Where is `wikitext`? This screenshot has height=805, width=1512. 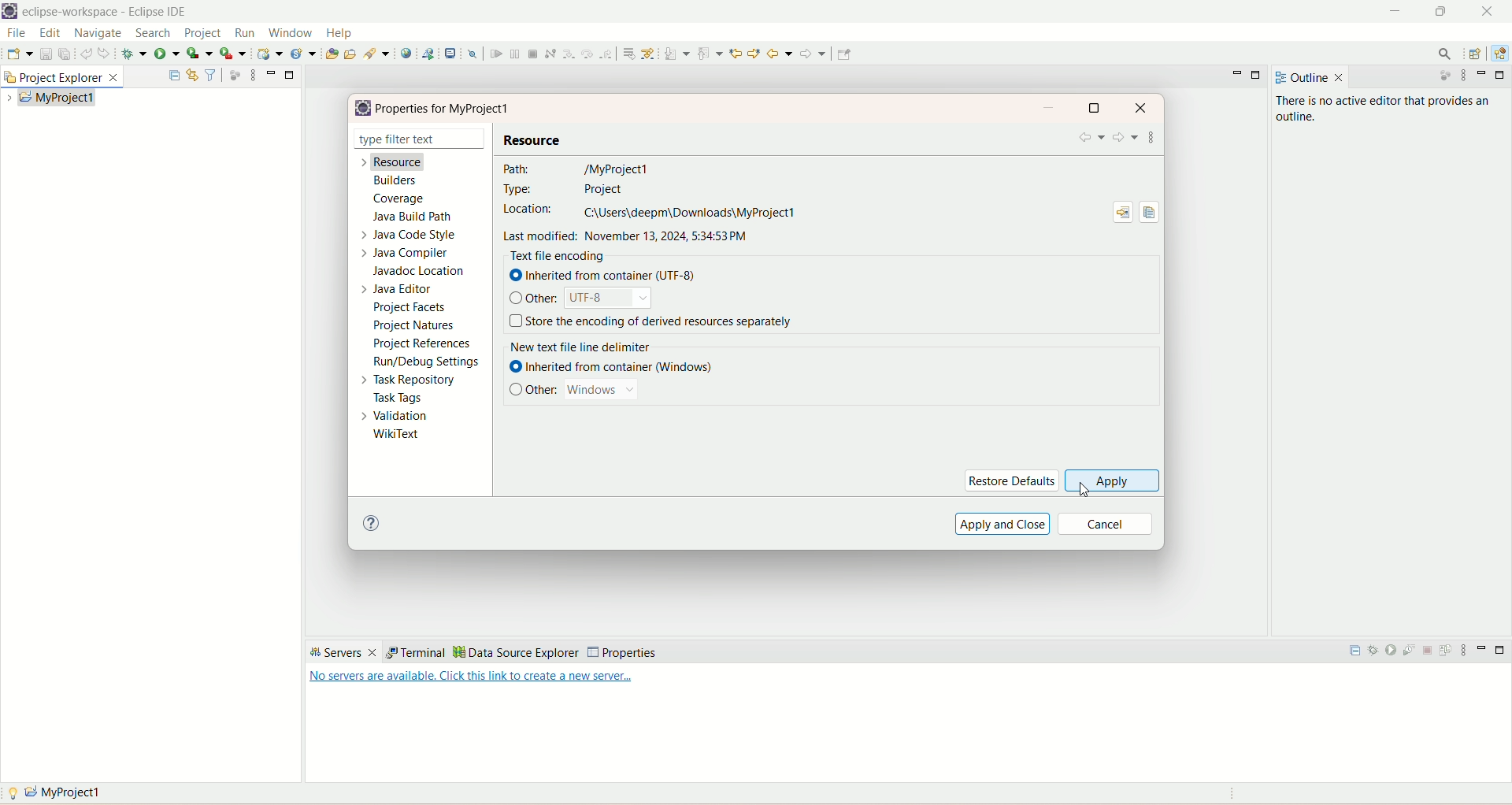
wikitext is located at coordinates (400, 435).